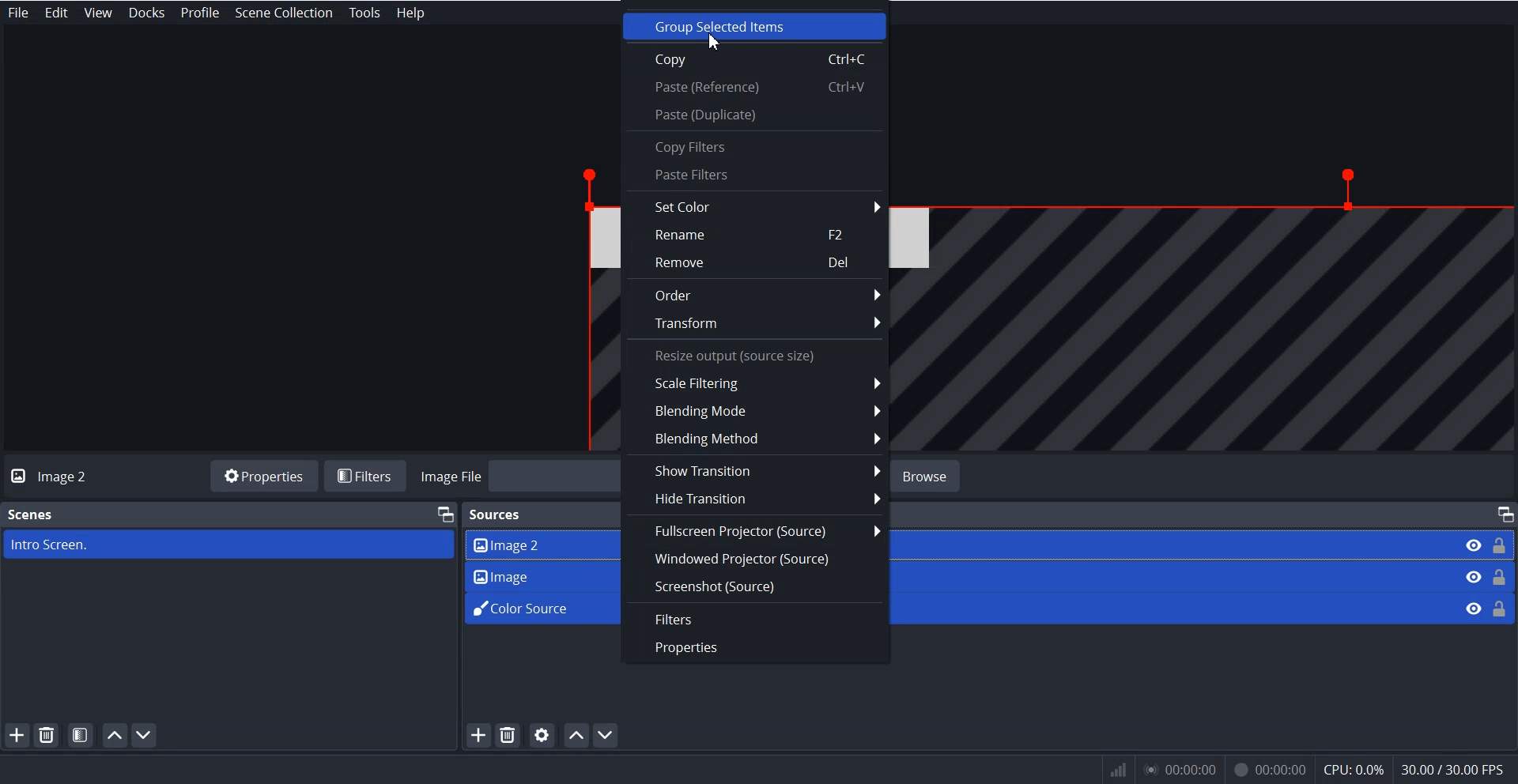 The height and width of the screenshot is (784, 1518). Describe the element at coordinates (115, 735) in the screenshot. I see `Move Scene Up` at that location.